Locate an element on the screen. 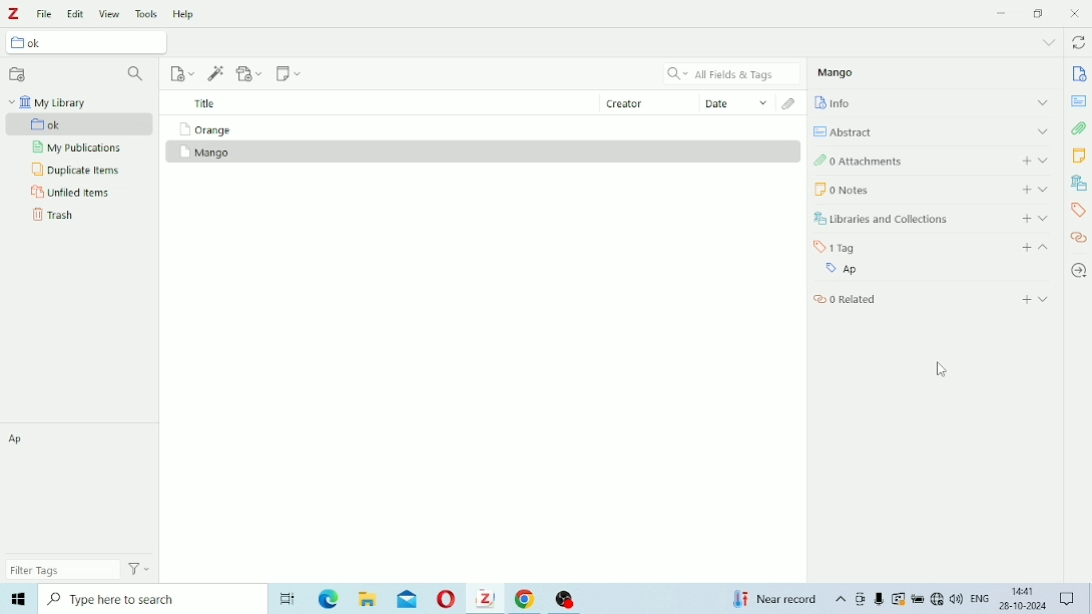 This screenshot has width=1092, height=614. ap is located at coordinates (18, 437).